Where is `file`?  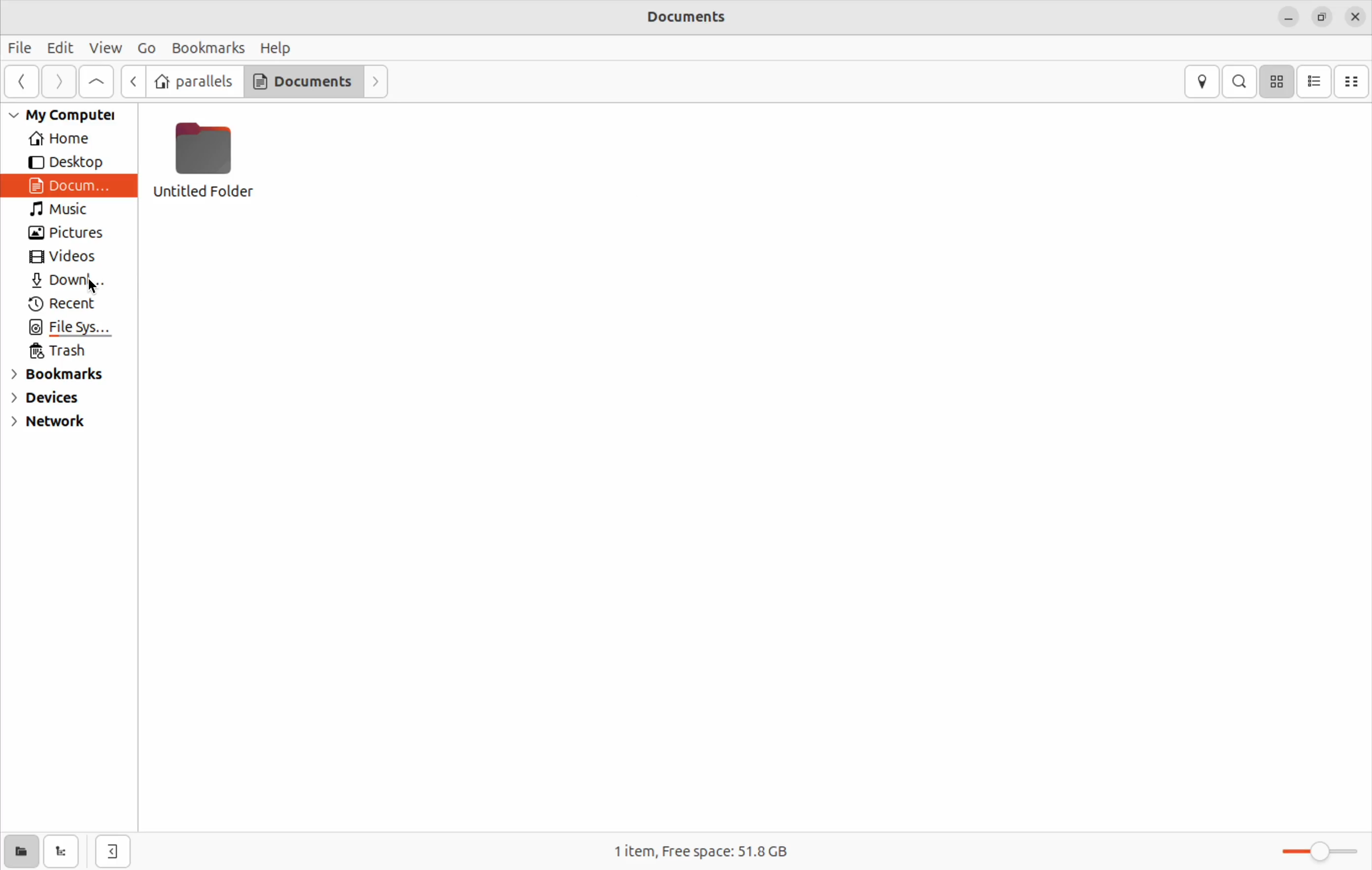
file is located at coordinates (23, 49).